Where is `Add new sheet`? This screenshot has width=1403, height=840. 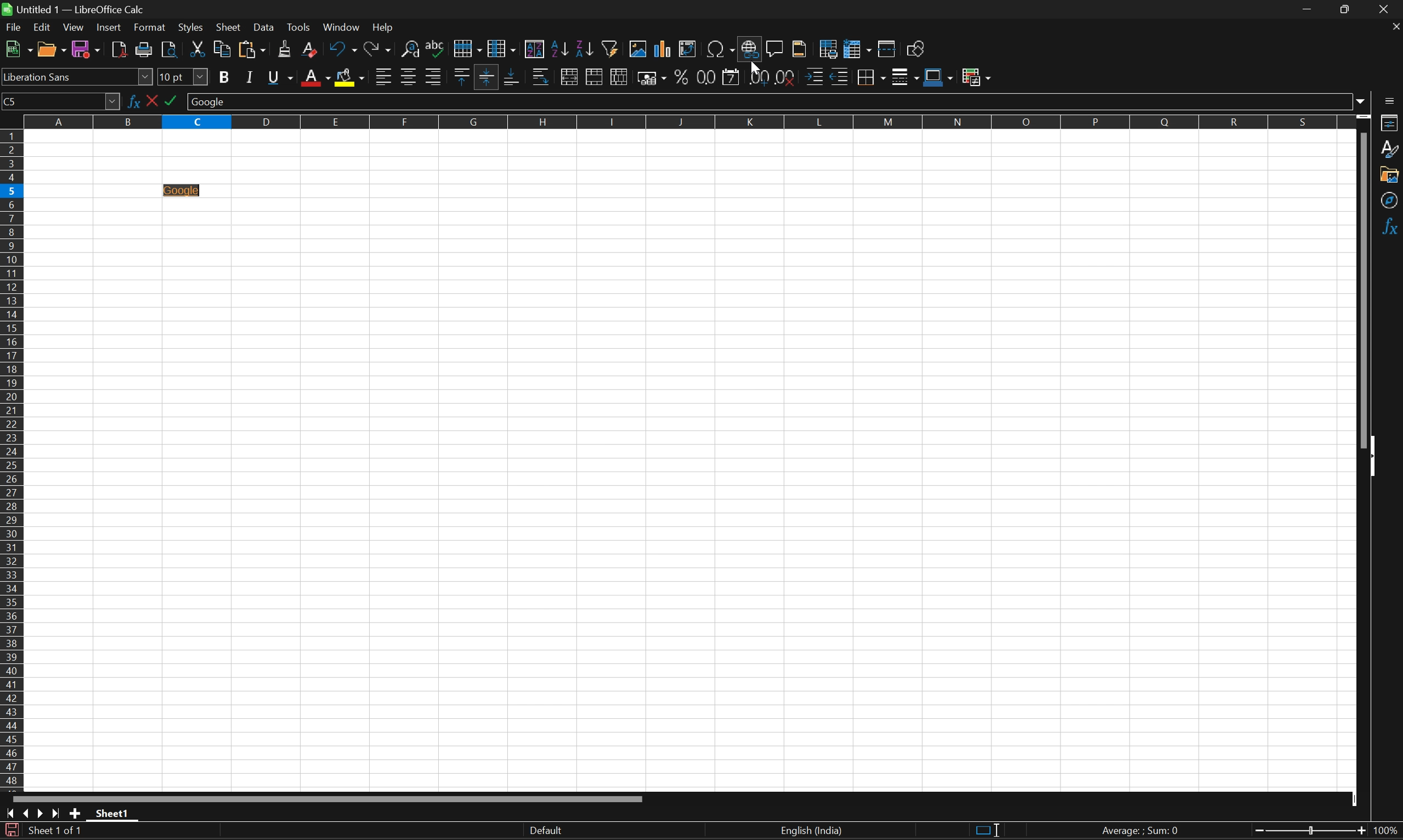 Add new sheet is located at coordinates (76, 815).